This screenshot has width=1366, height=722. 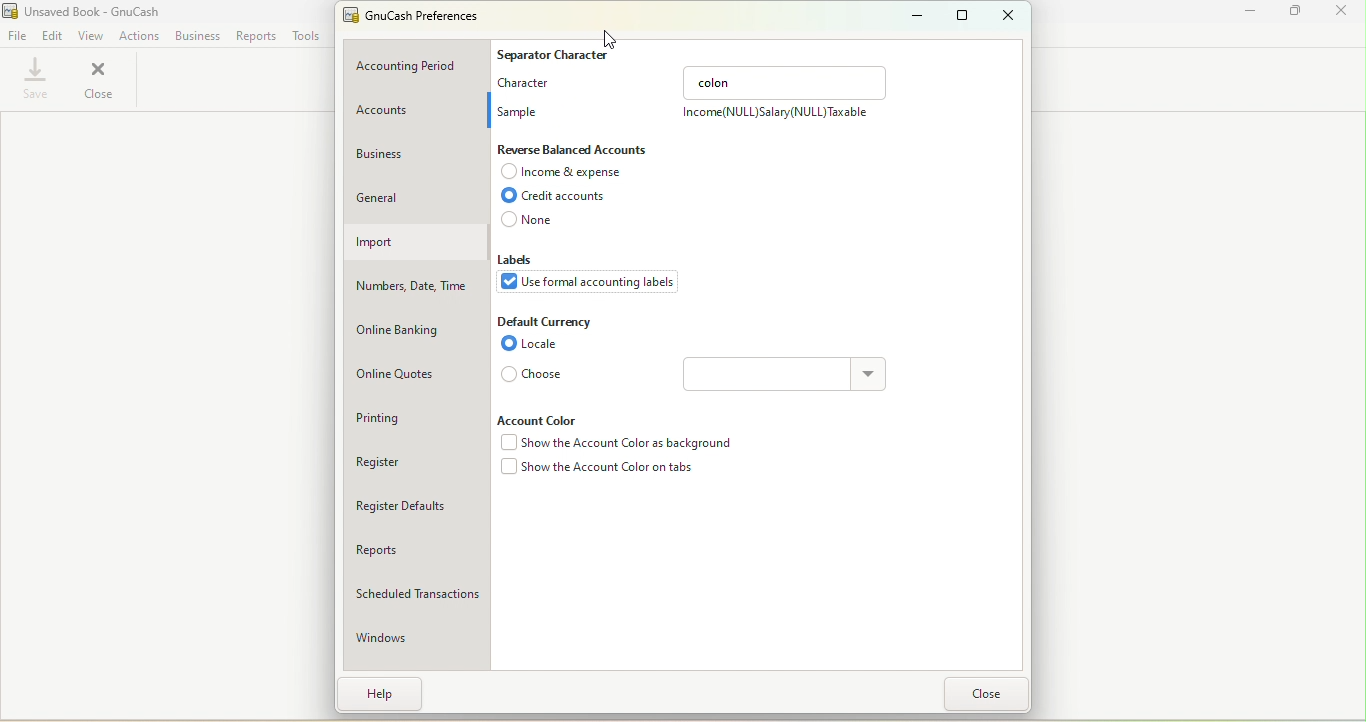 I want to click on Reports, so click(x=415, y=547).